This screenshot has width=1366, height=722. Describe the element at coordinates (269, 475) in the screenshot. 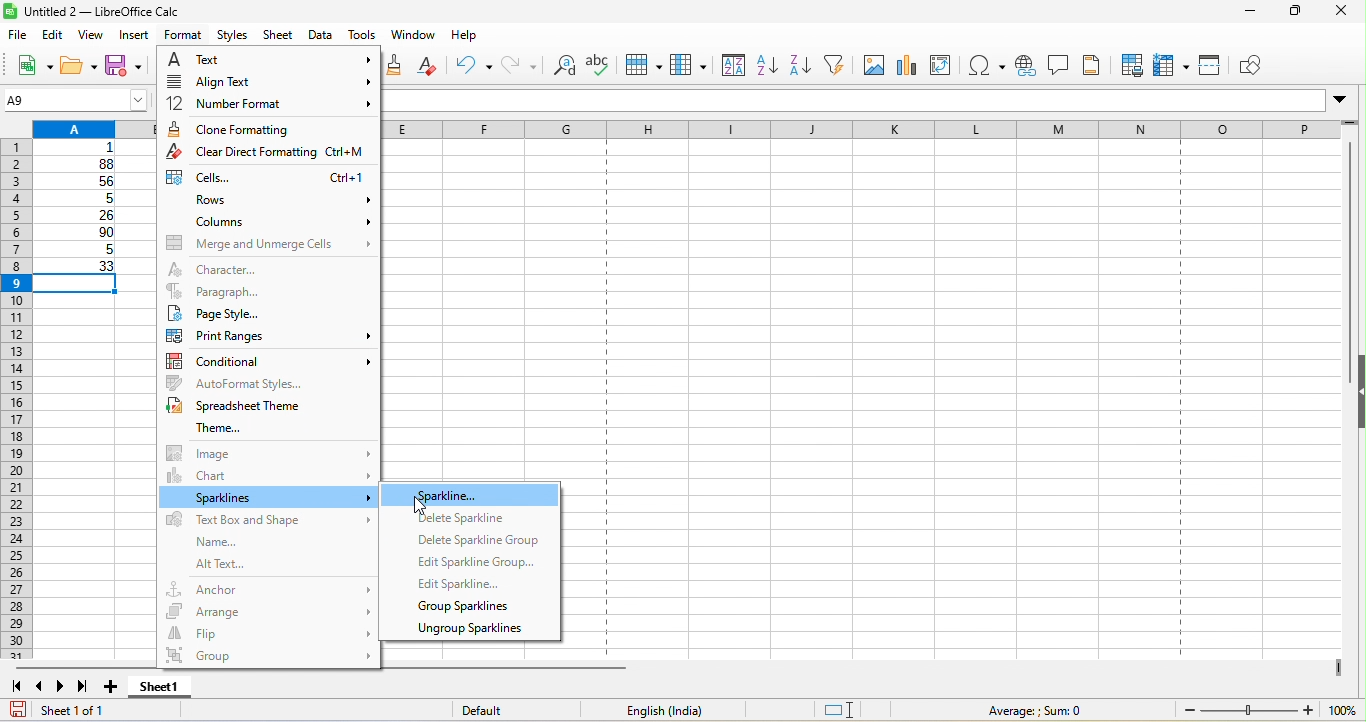

I see `chart` at that location.